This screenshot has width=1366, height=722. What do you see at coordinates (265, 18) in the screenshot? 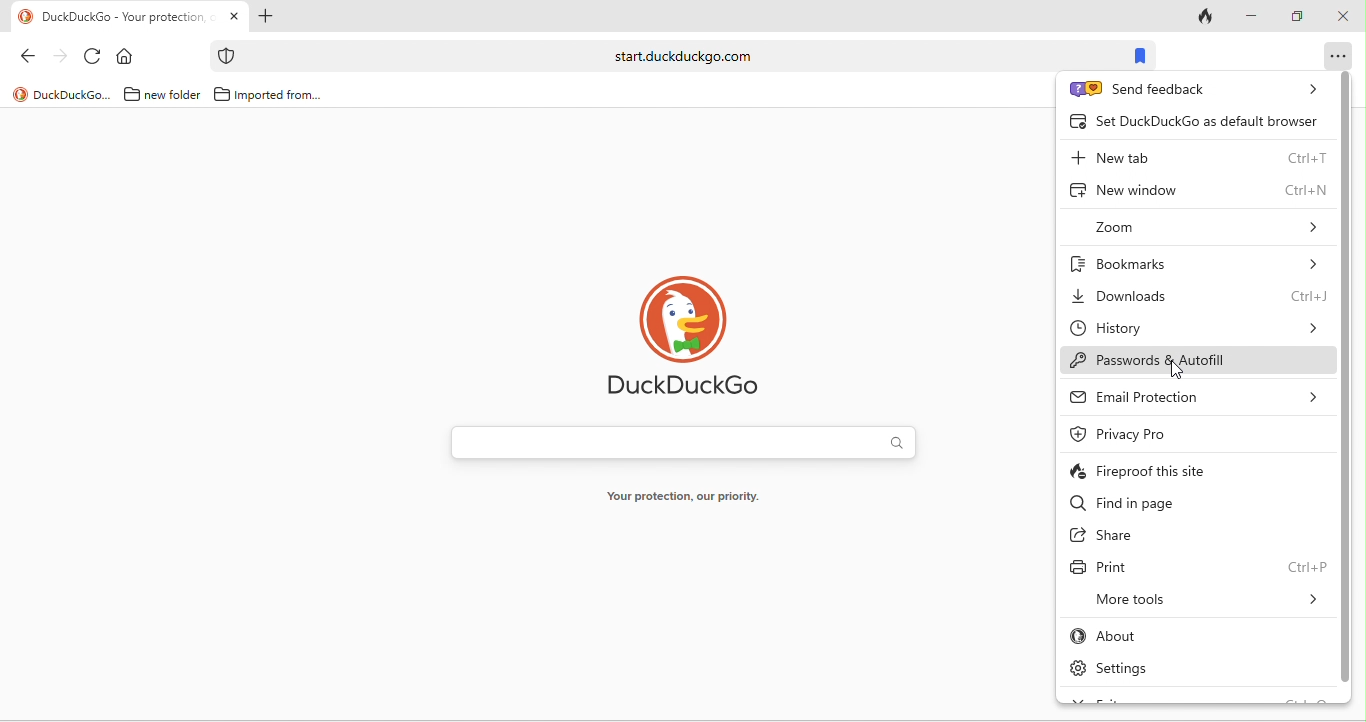
I see `add new tab` at bounding box center [265, 18].